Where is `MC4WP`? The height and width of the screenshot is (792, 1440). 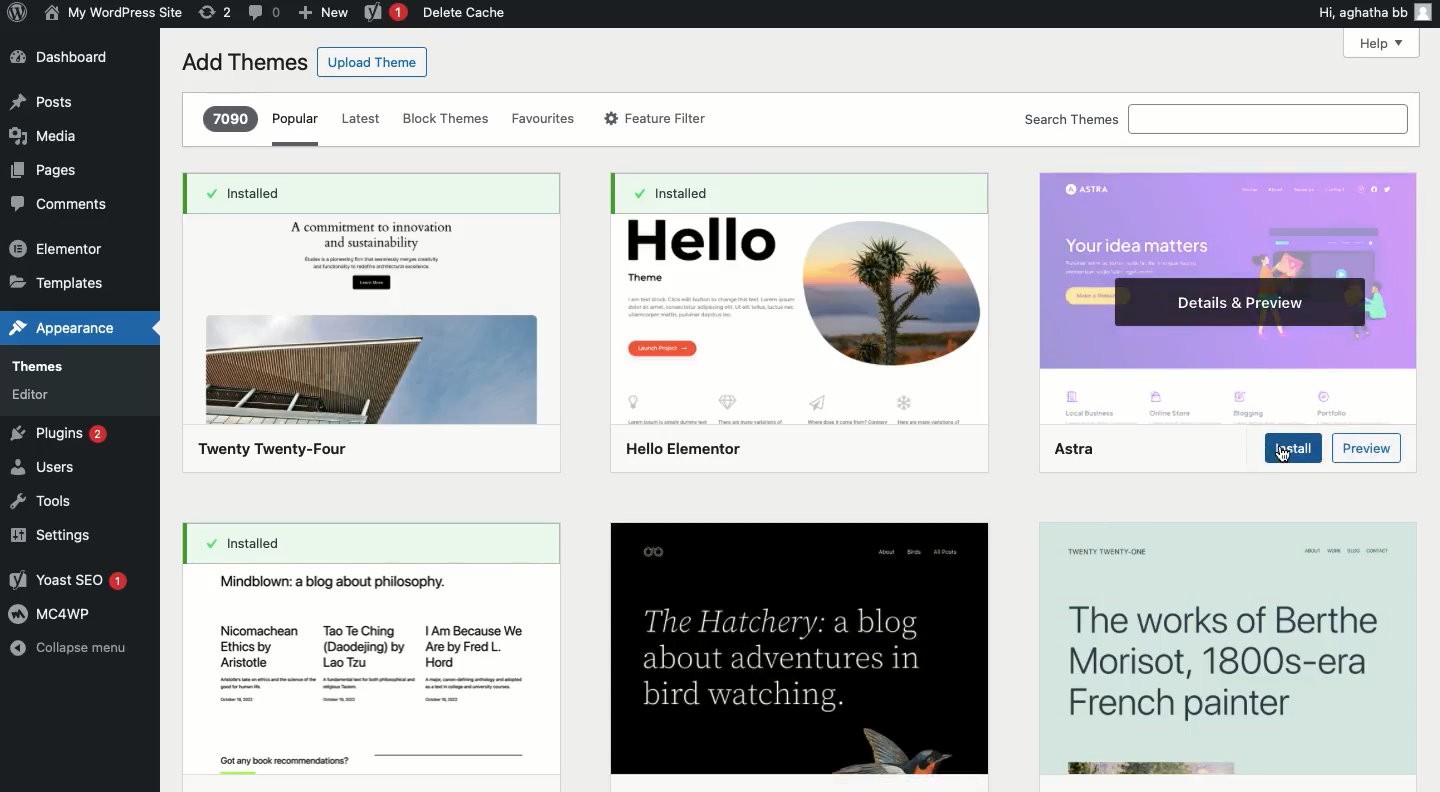 MC4WP is located at coordinates (51, 613).